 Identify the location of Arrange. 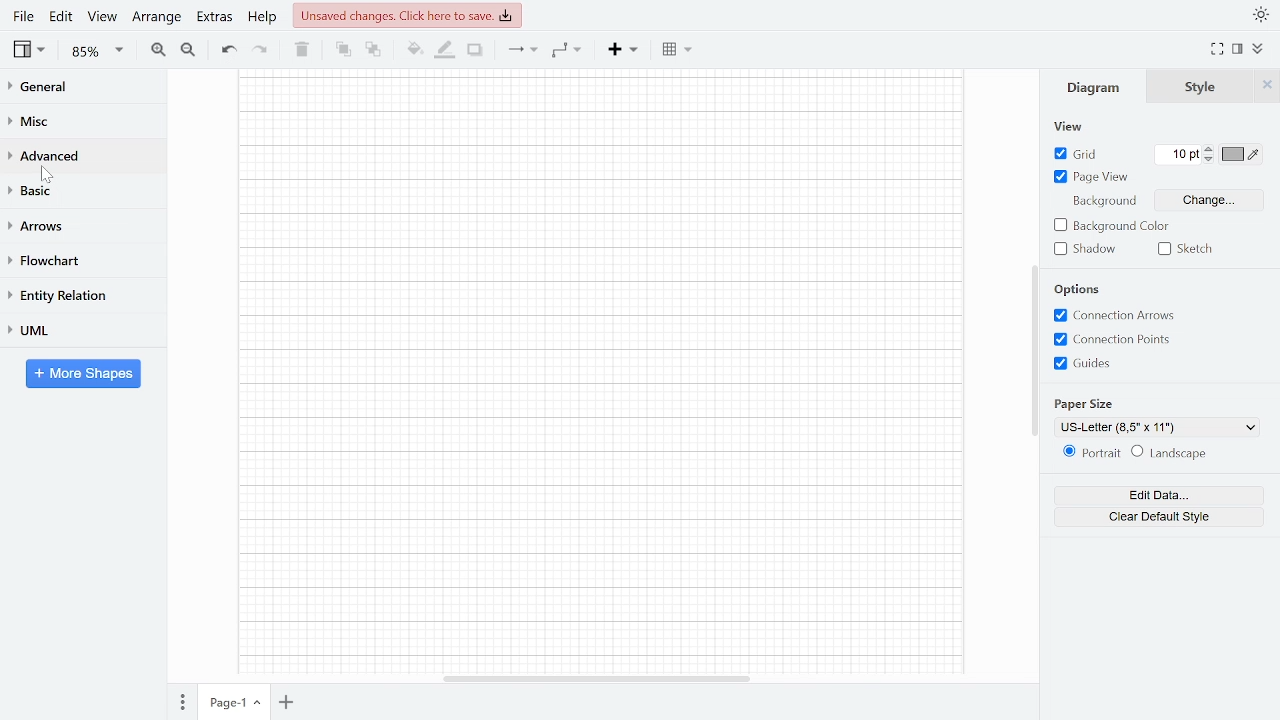
(155, 19).